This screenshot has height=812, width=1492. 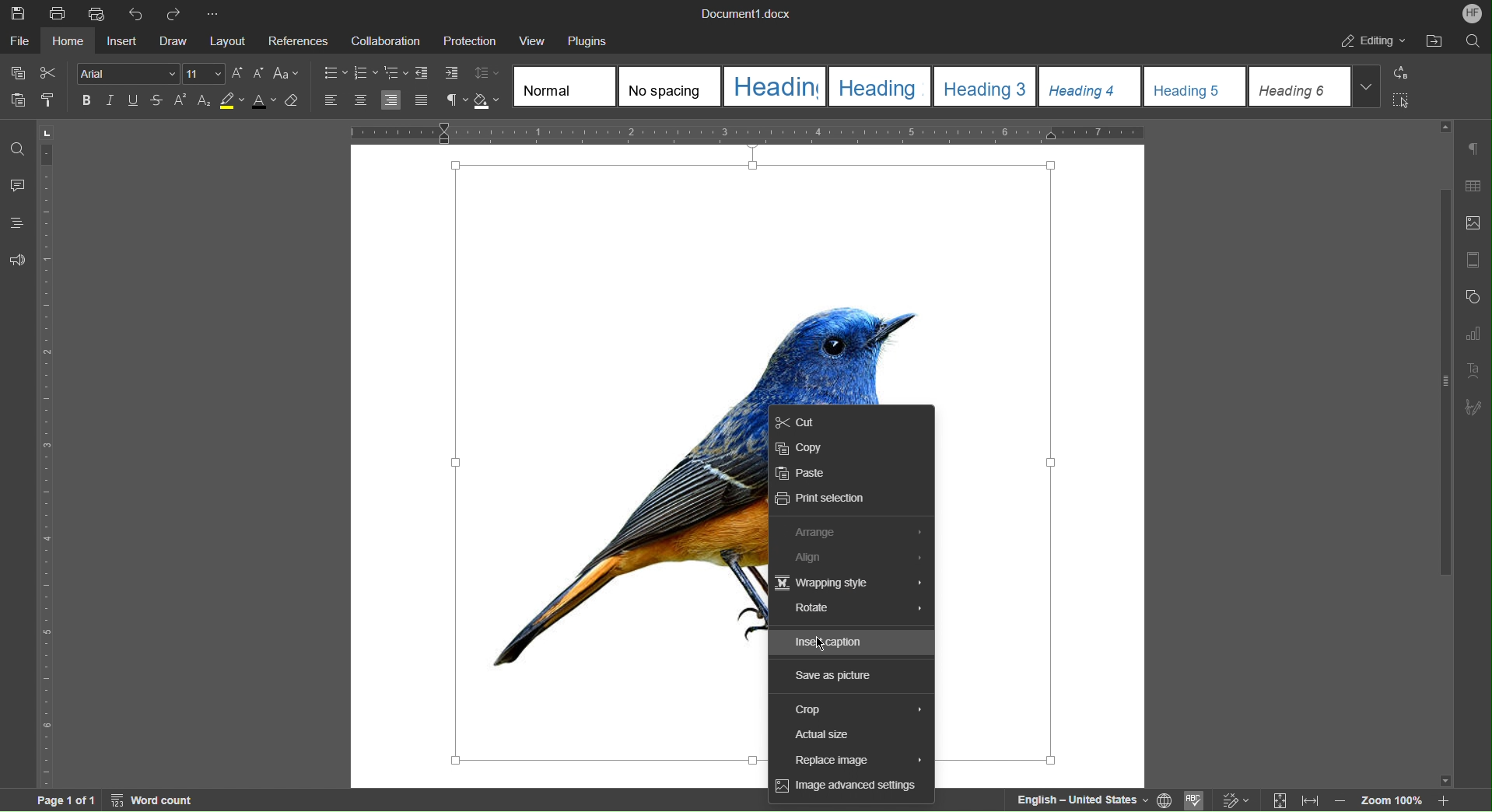 I want to click on Cut, so click(x=799, y=421).